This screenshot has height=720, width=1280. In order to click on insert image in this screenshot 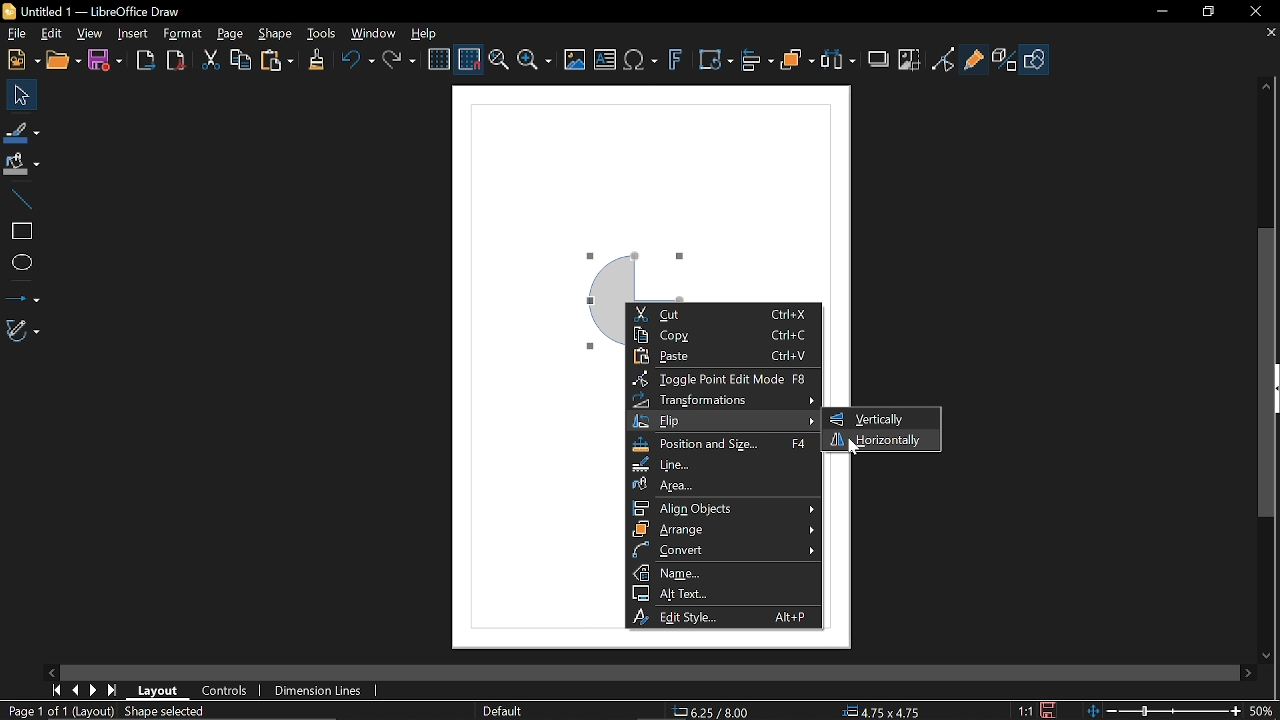, I will do `click(578, 59)`.